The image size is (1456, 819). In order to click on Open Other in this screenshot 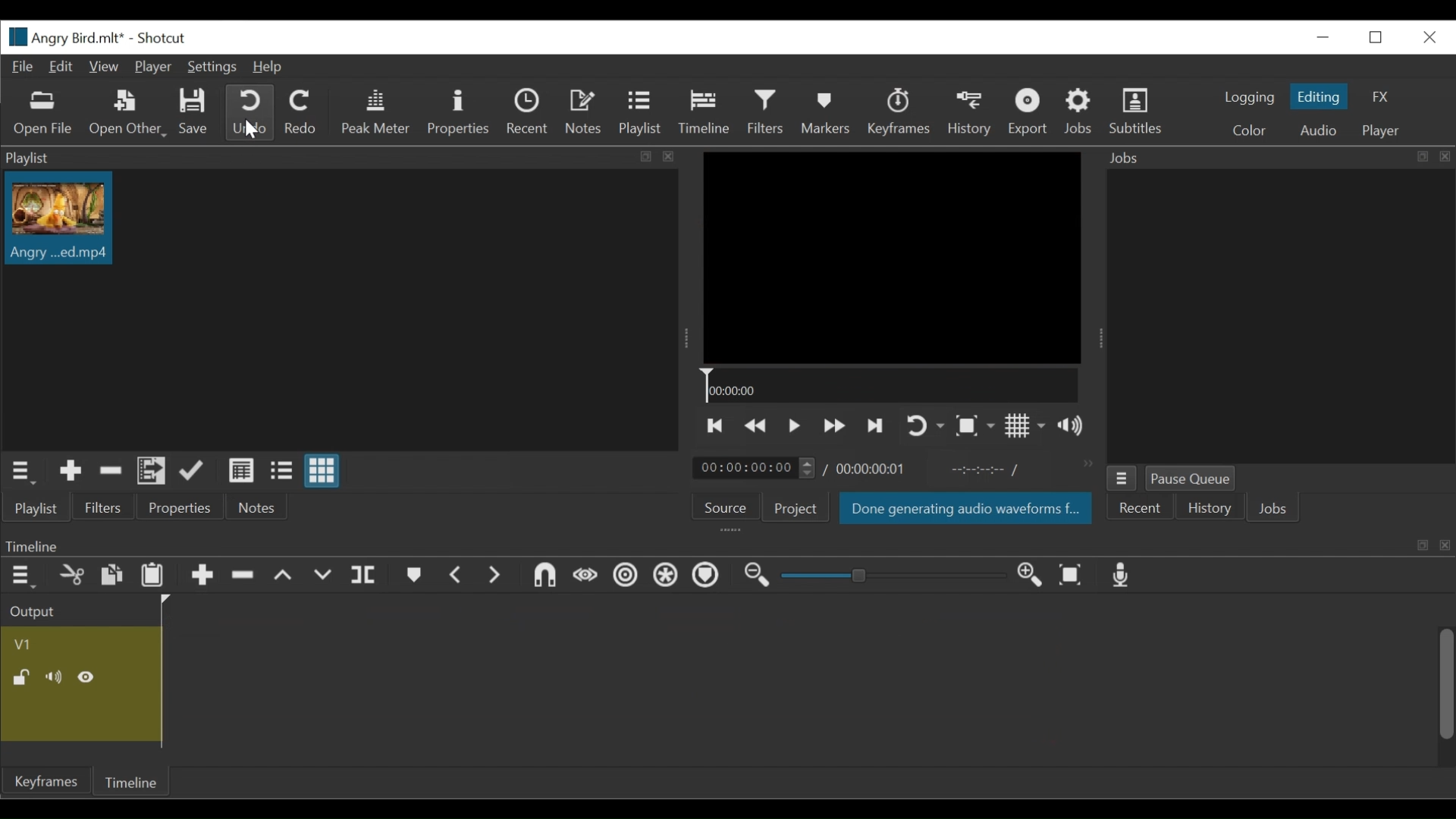, I will do `click(128, 115)`.